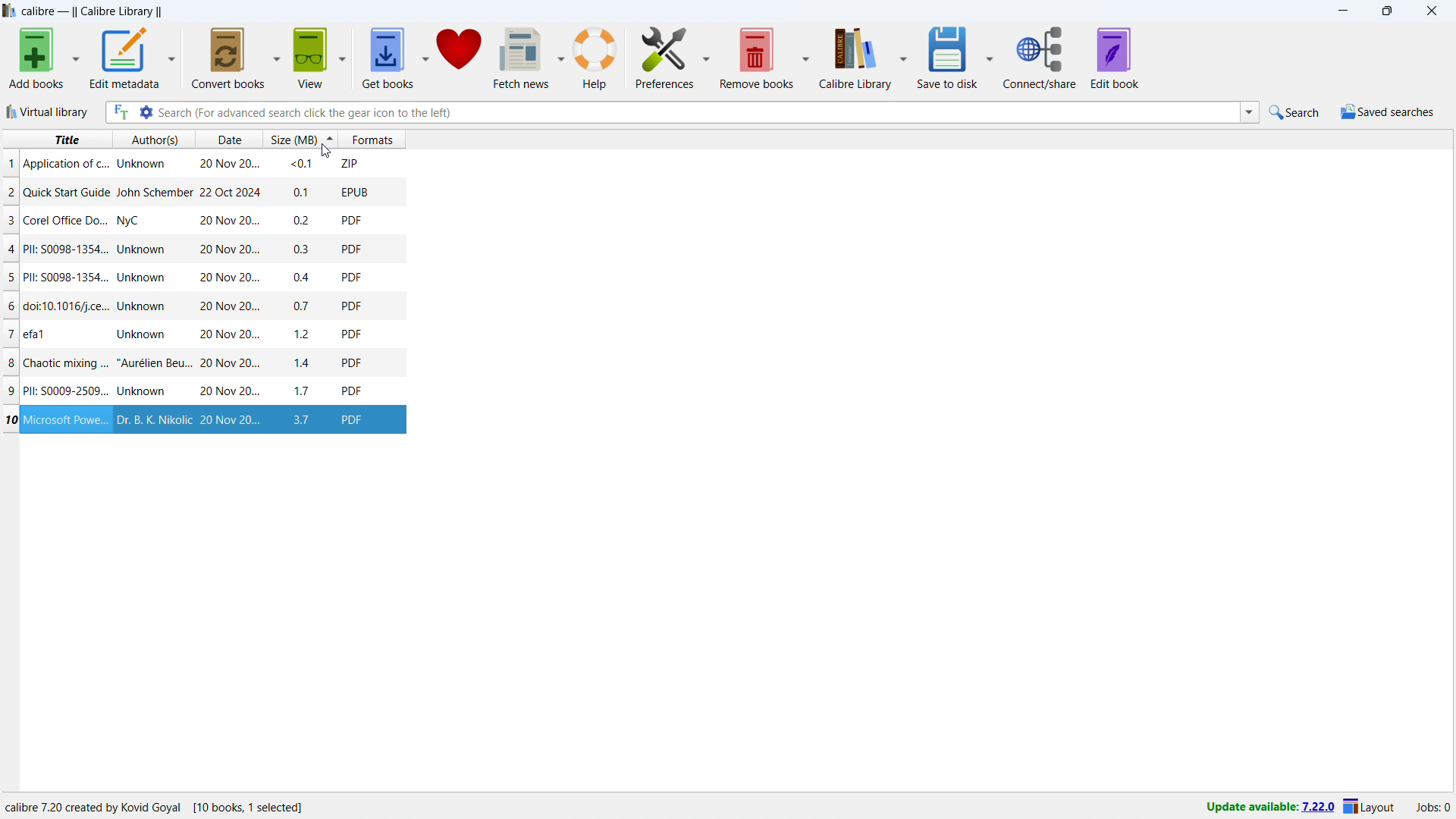 The width and height of the screenshot is (1456, 819). What do you see at coordinates (311, 58) in the screenshot?
I see `view` at bounding box center [311, 58].